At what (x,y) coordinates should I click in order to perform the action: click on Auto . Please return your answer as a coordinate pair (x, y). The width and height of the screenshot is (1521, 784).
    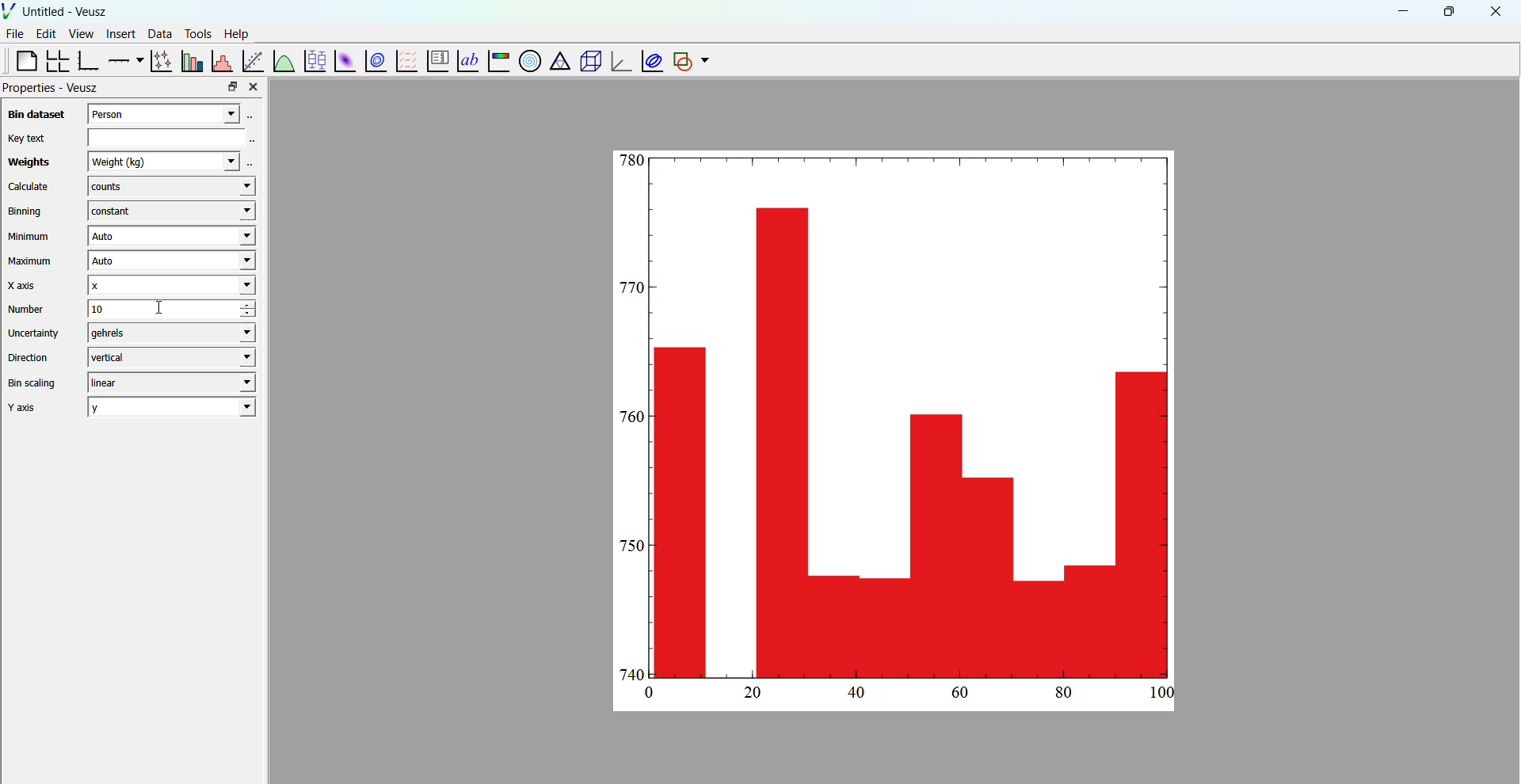
    Looking at the image, I should click on (170, 237).